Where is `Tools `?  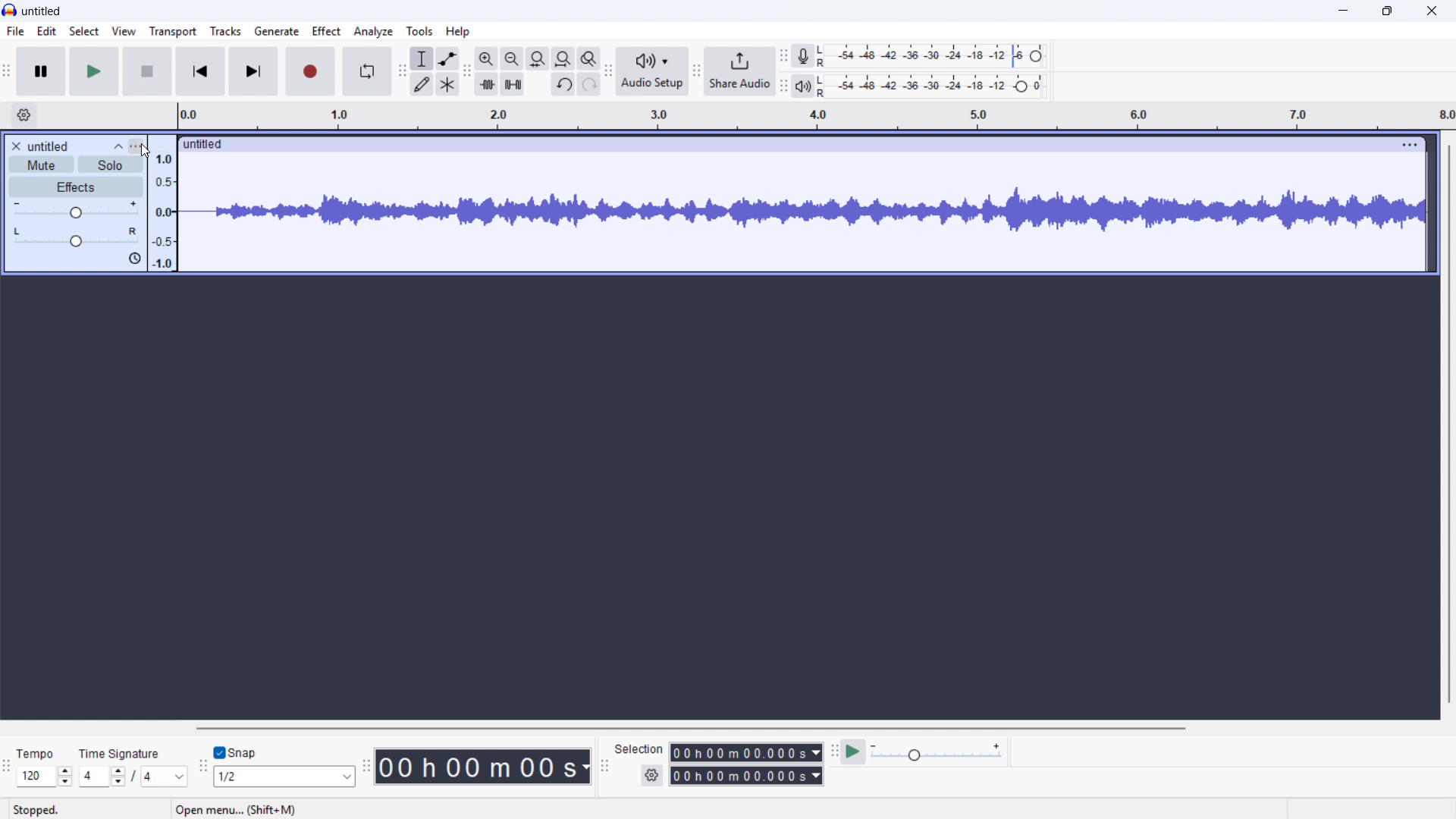
Tools  is located at coordinates (420, 30).